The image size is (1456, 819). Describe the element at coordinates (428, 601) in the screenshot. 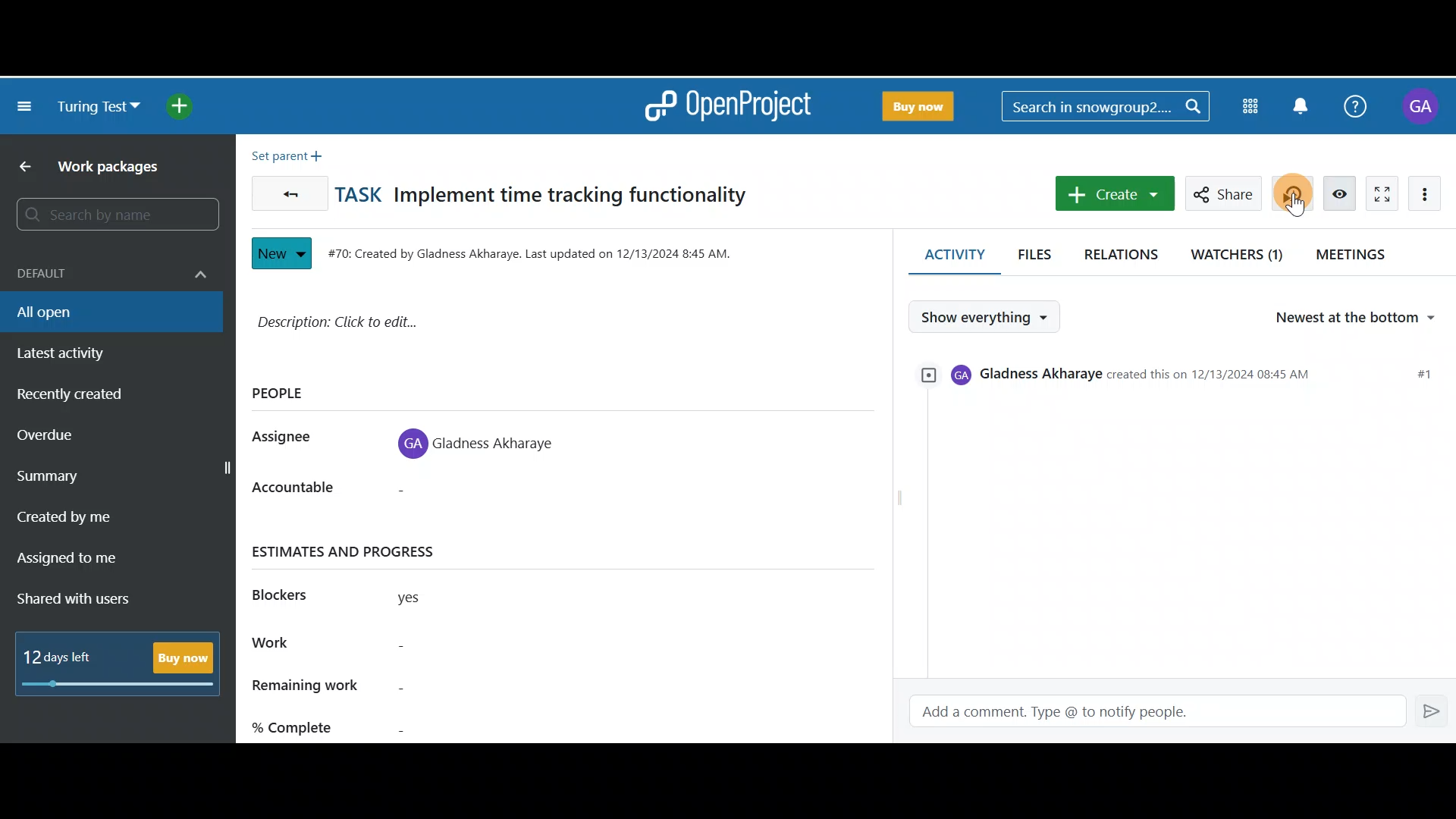

I see `yes` at that location.